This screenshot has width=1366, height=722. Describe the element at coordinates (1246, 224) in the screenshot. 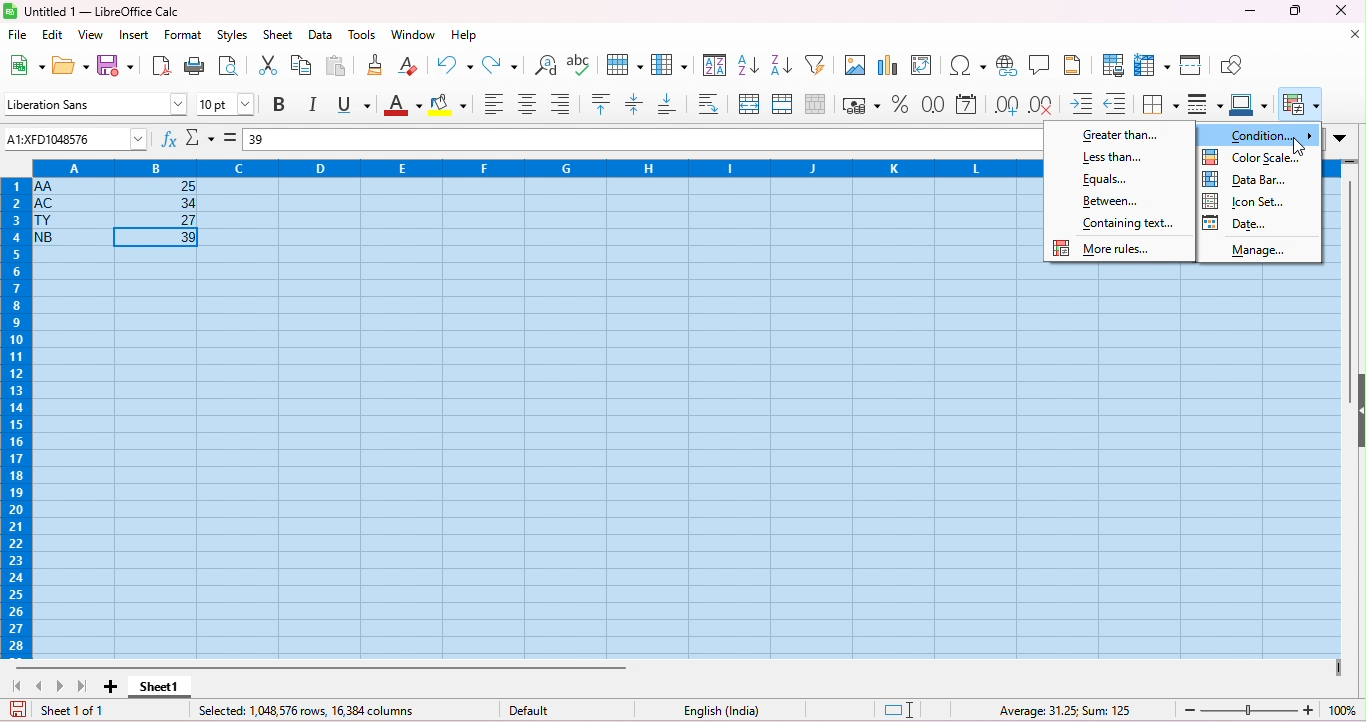

I see `date` at that location.